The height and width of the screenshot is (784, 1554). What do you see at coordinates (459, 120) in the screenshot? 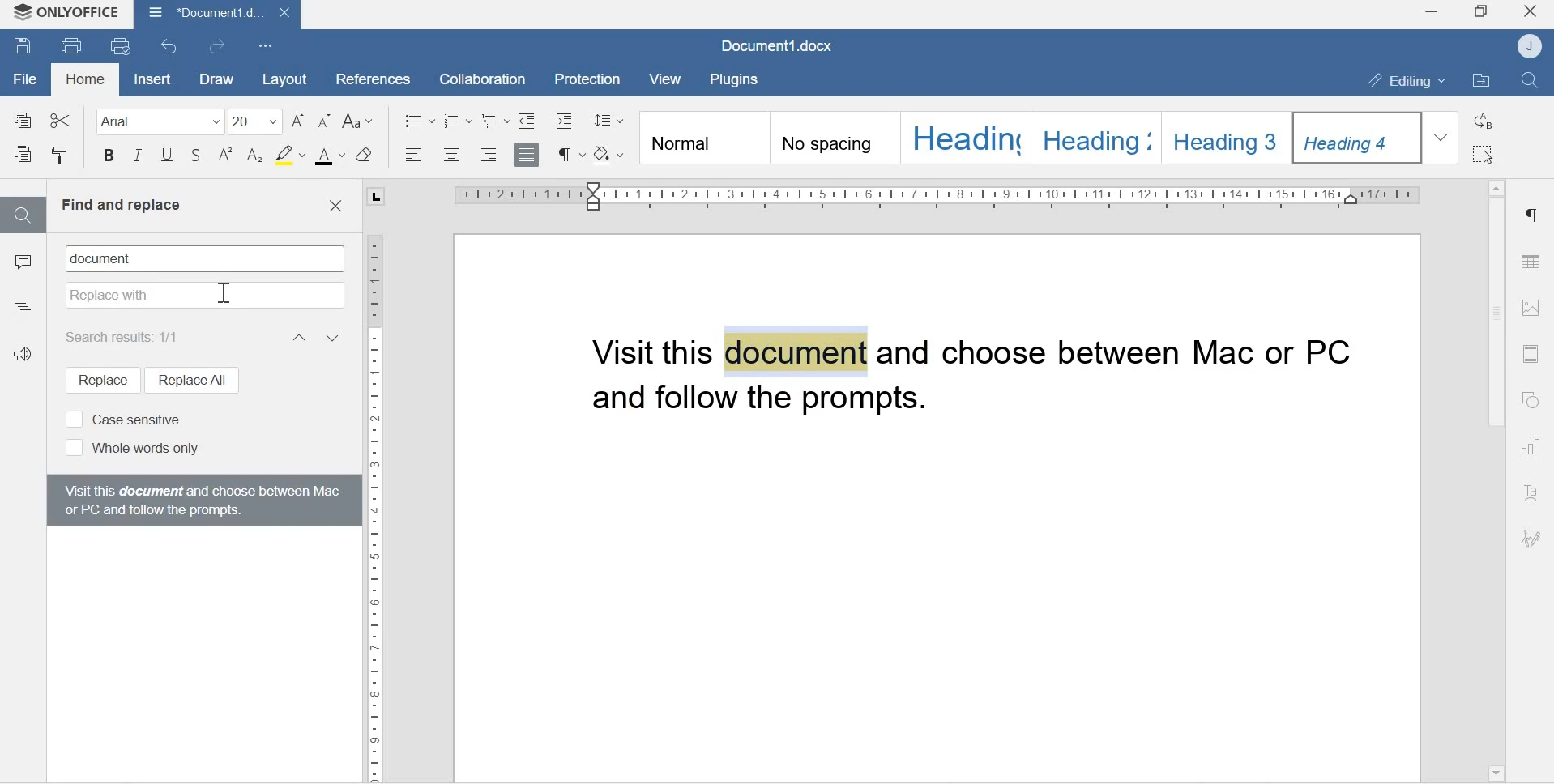
I see `Numbering` at bounding box center [459, 120].